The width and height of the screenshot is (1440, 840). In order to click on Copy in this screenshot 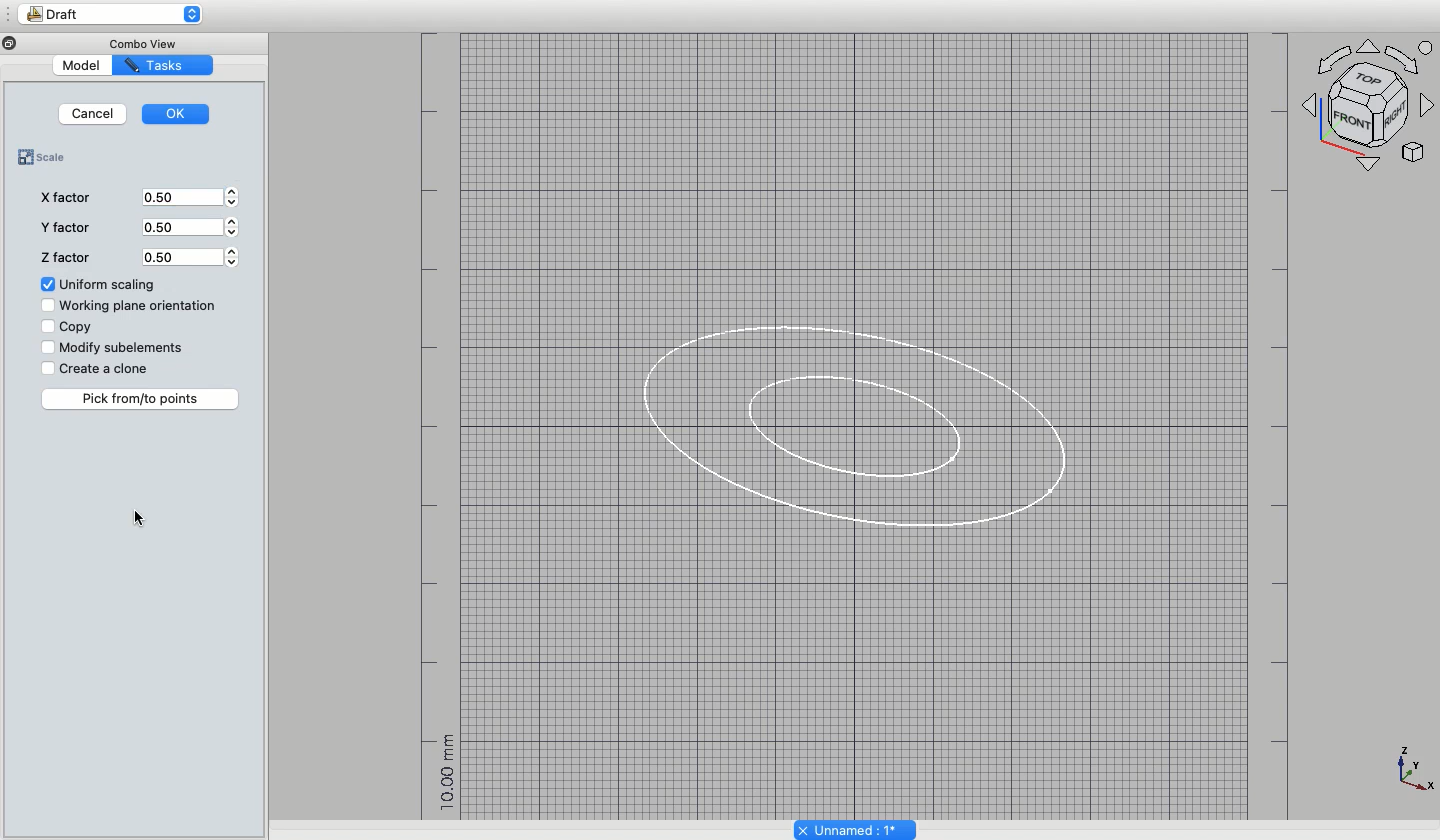, I will do `click(72, 328)`.